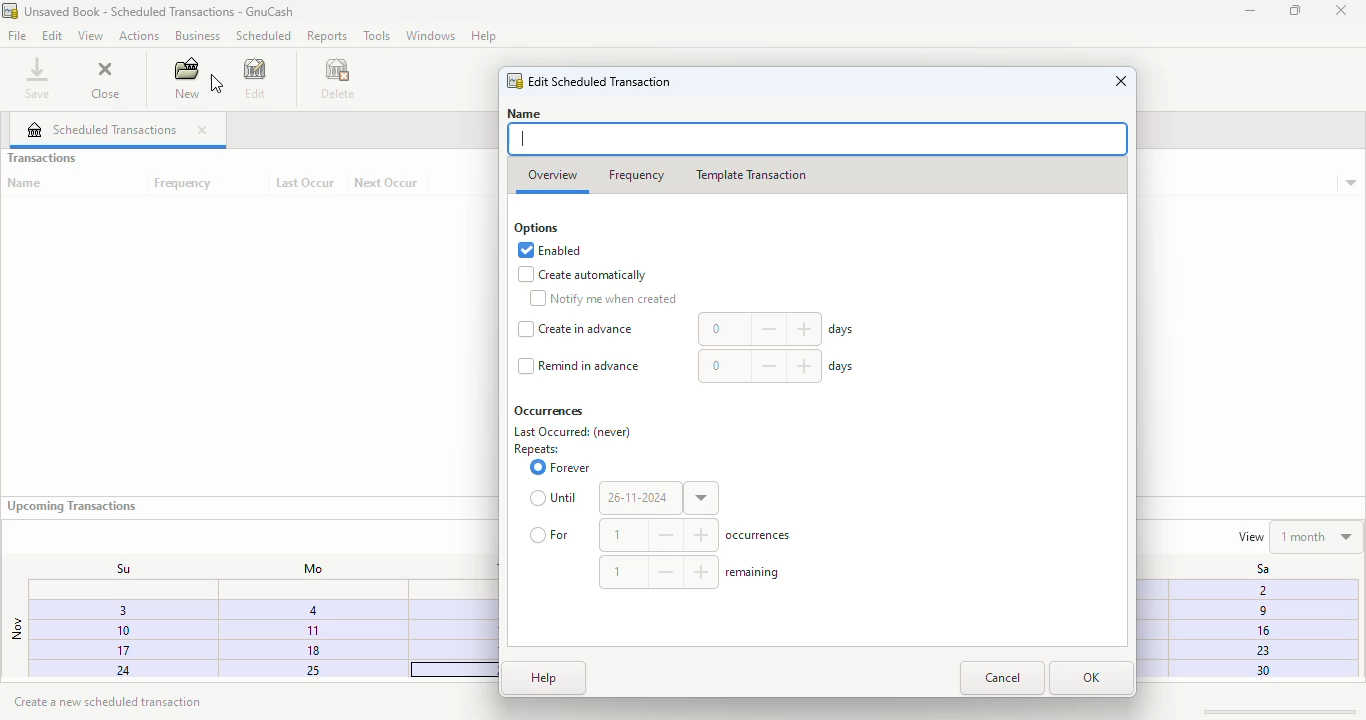  I want to click on 1, so click(311, 629).